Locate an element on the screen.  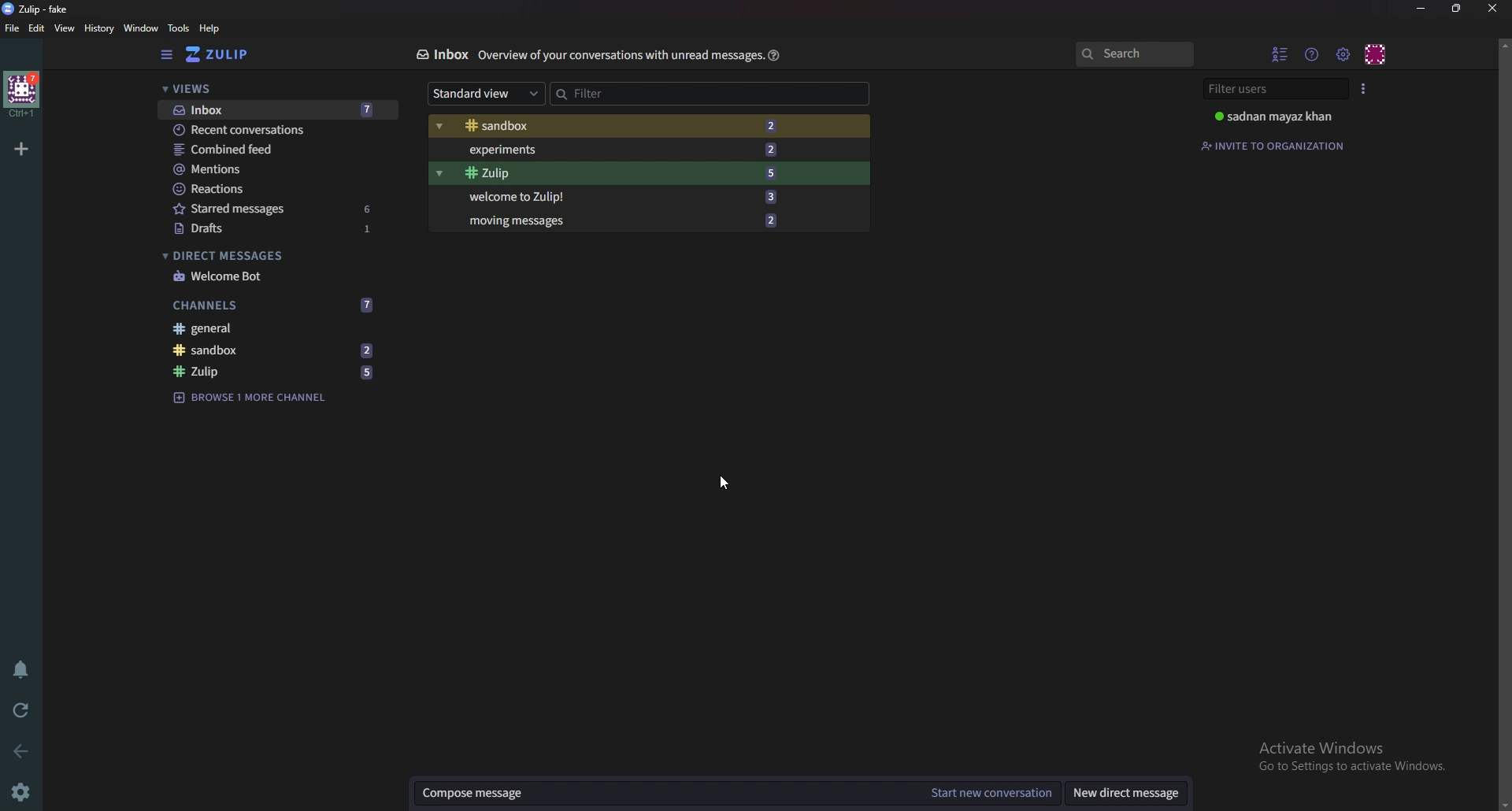
Moving messages is located at coordinates (624, 221).